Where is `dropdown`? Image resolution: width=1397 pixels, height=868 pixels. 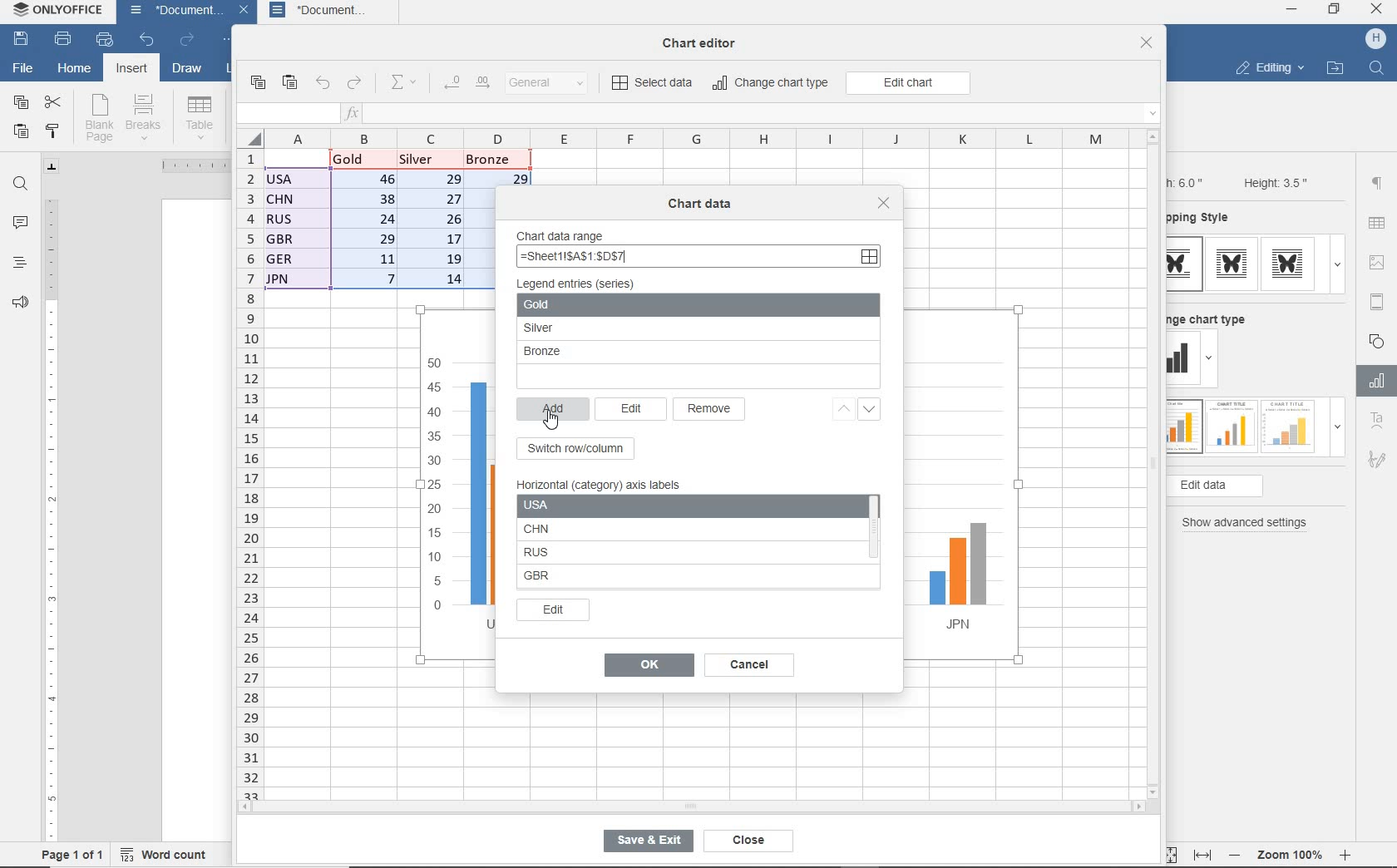 dropdown is located at coordinates (1337, 432).